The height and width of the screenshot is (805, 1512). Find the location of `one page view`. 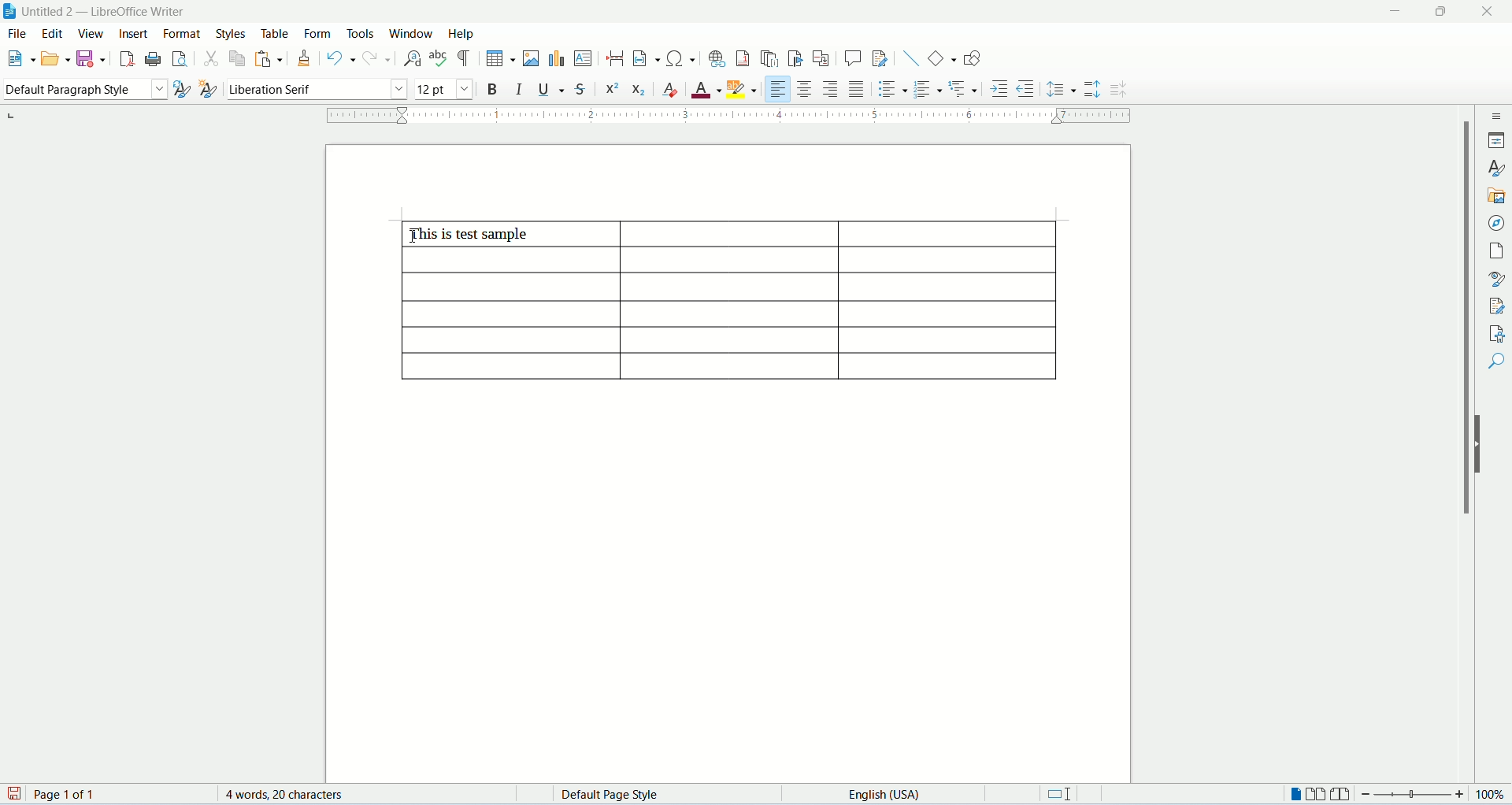

one page view is located at coordinates (1293, 794).